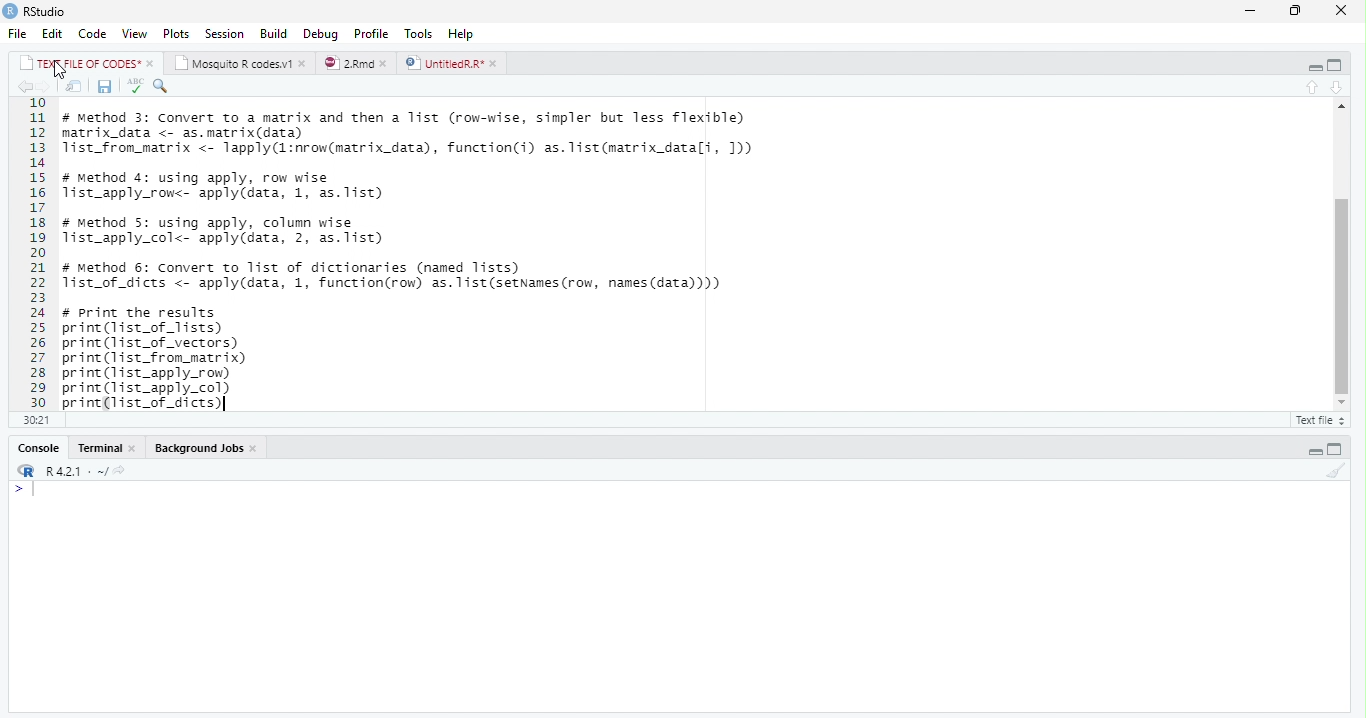 This screenshot has height=718, width=1366. What do you see at coordinates (425, 254) in the screenshot?
I see `# Method 3: Convert to a matrix and then a list (row-wise, simpler but less flexible)matrix_data <- as.matrix(data)1ist_from matrix <- lapply(1:nrow(matrix_data), function(i) as.list(matrix_datali, 1))# method 4: using apply, row wise1i5t_apply_row<- apply(data, 1, as.list)# method 5: using apply, column wise1ist_apply_col<- apply(data, 2, as.list)# method 6: Convert to 1ist of dictionaries (named 1ists)1ist_of dicts <- apply(data, 1, function(row) as.1ist(setNames(row, names(data))))# print the resultsprint (1ist_of_1ists)print (11st_of vectors)print (11st_fron_matrix)print (115t_apply_row)print (115t_apply_col)orint(1ist_of_dicts)|` at bounding box center [425, 254].